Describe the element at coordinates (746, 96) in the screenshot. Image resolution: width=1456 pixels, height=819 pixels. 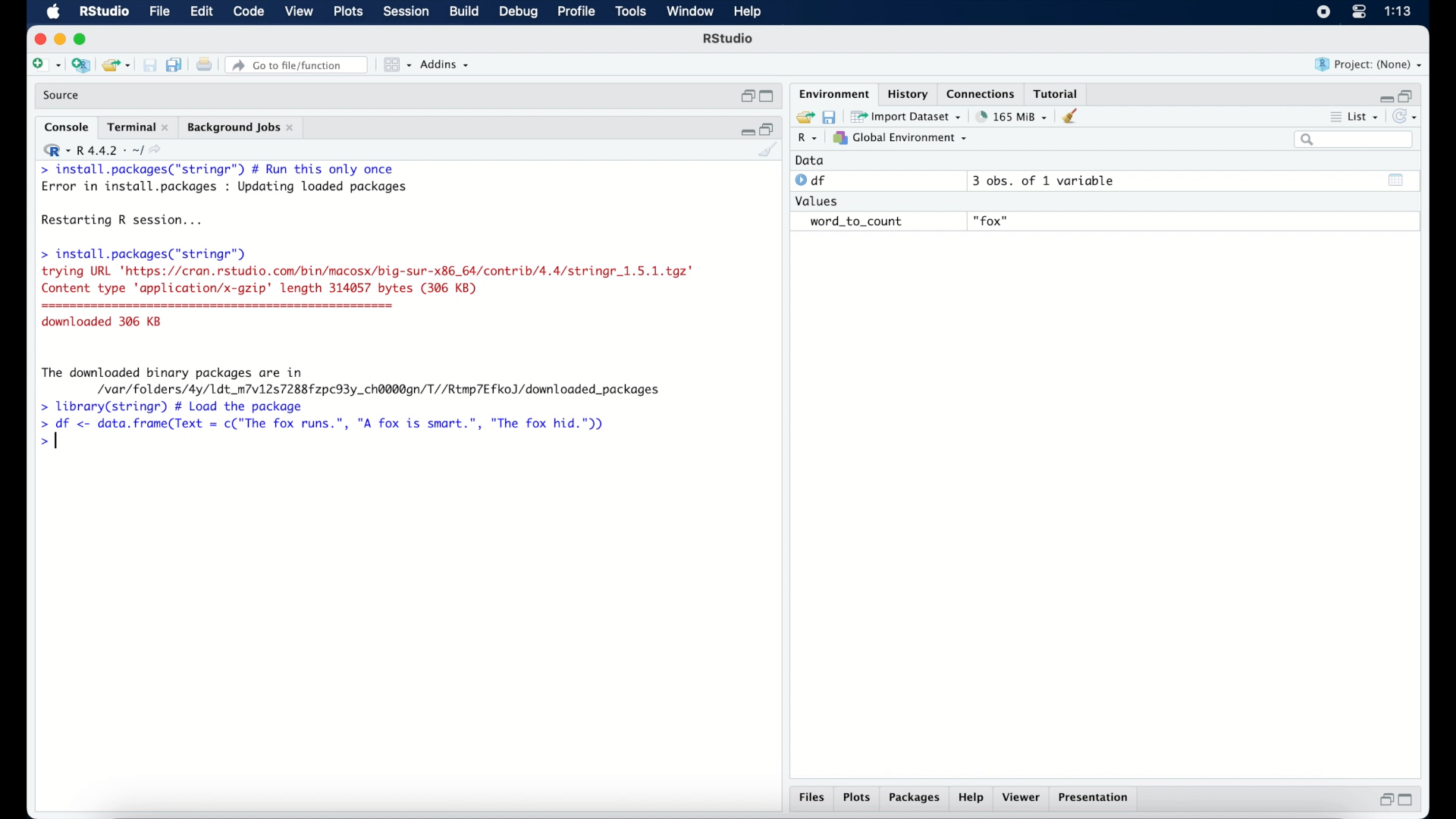
I see `restore down` at that location.